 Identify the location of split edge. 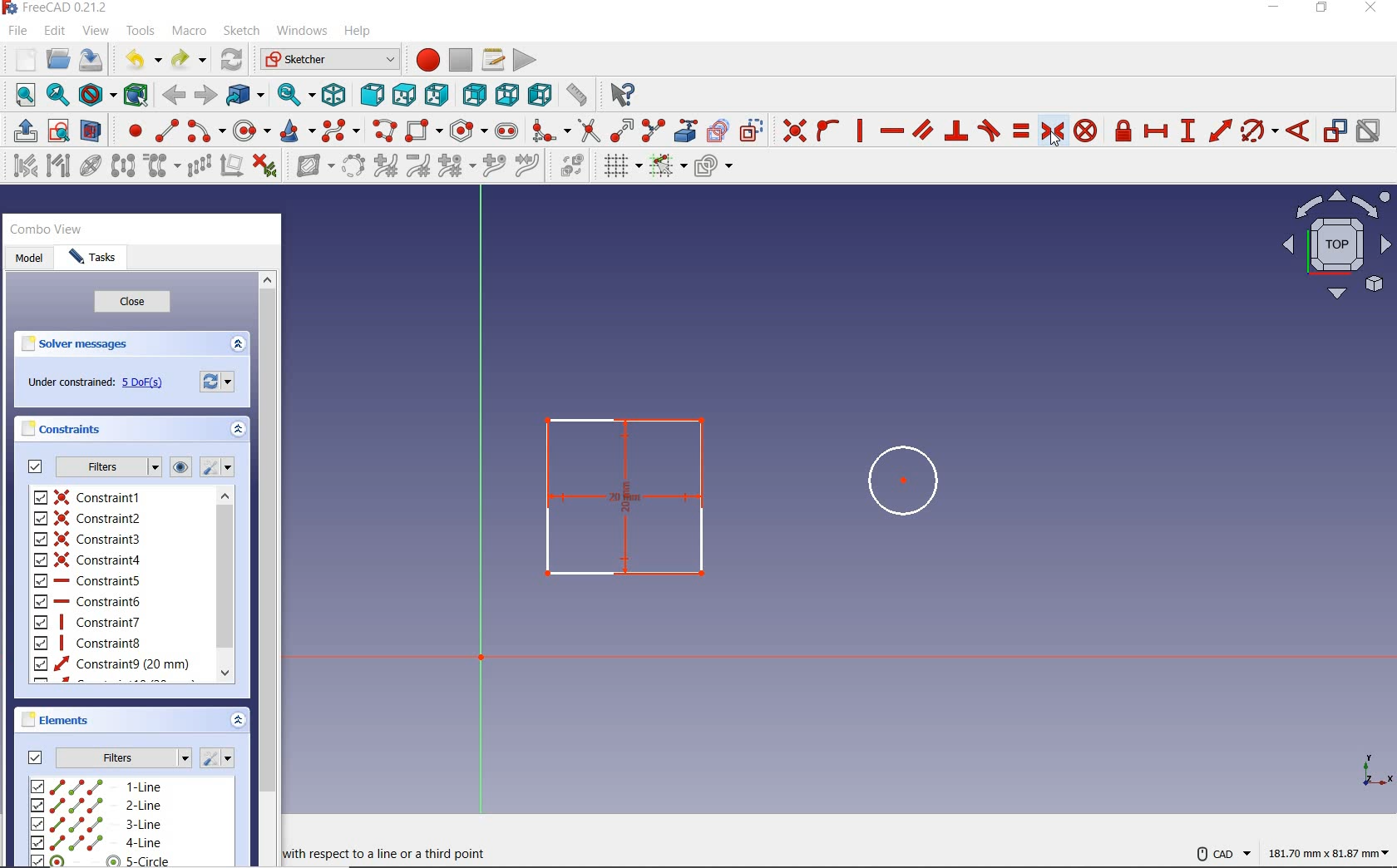
(653, 129).